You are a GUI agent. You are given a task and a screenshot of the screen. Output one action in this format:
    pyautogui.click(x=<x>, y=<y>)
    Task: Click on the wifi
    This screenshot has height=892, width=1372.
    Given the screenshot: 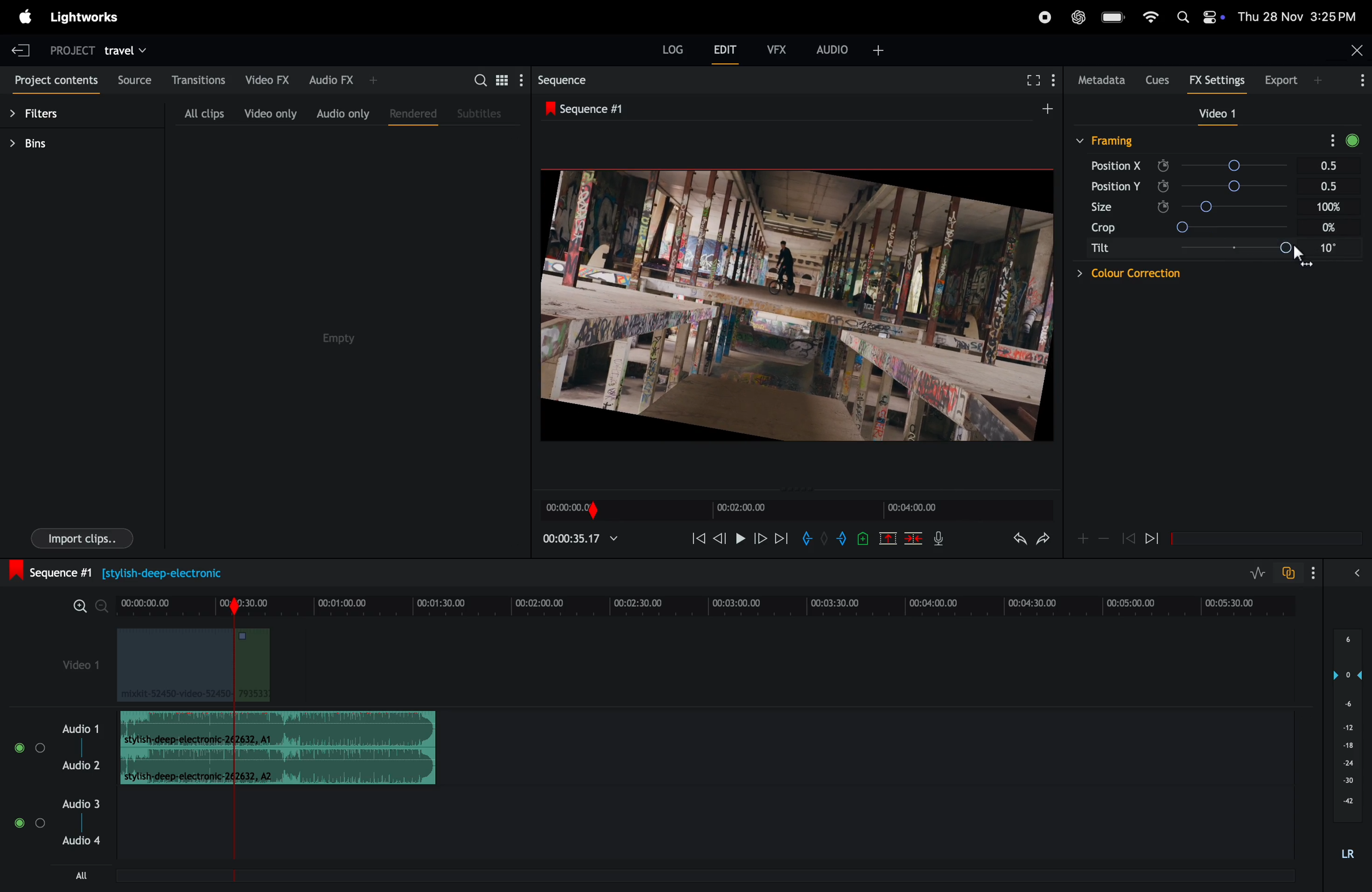 What is the action you would take?
    pyautogui.click(x=1148, y=18)
    